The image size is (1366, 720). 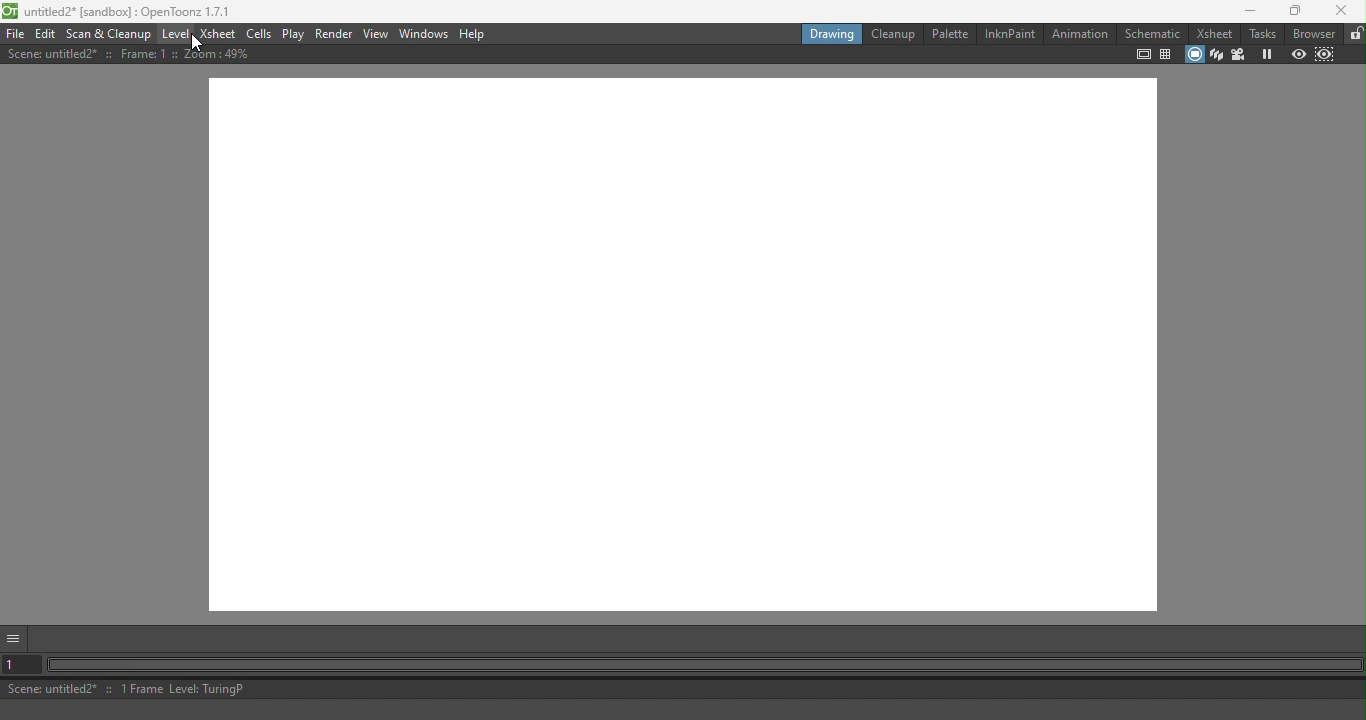 What do you see at coordinates (293, 34) in the screenshot?
I see `Play` at bounding box center [293, 34].